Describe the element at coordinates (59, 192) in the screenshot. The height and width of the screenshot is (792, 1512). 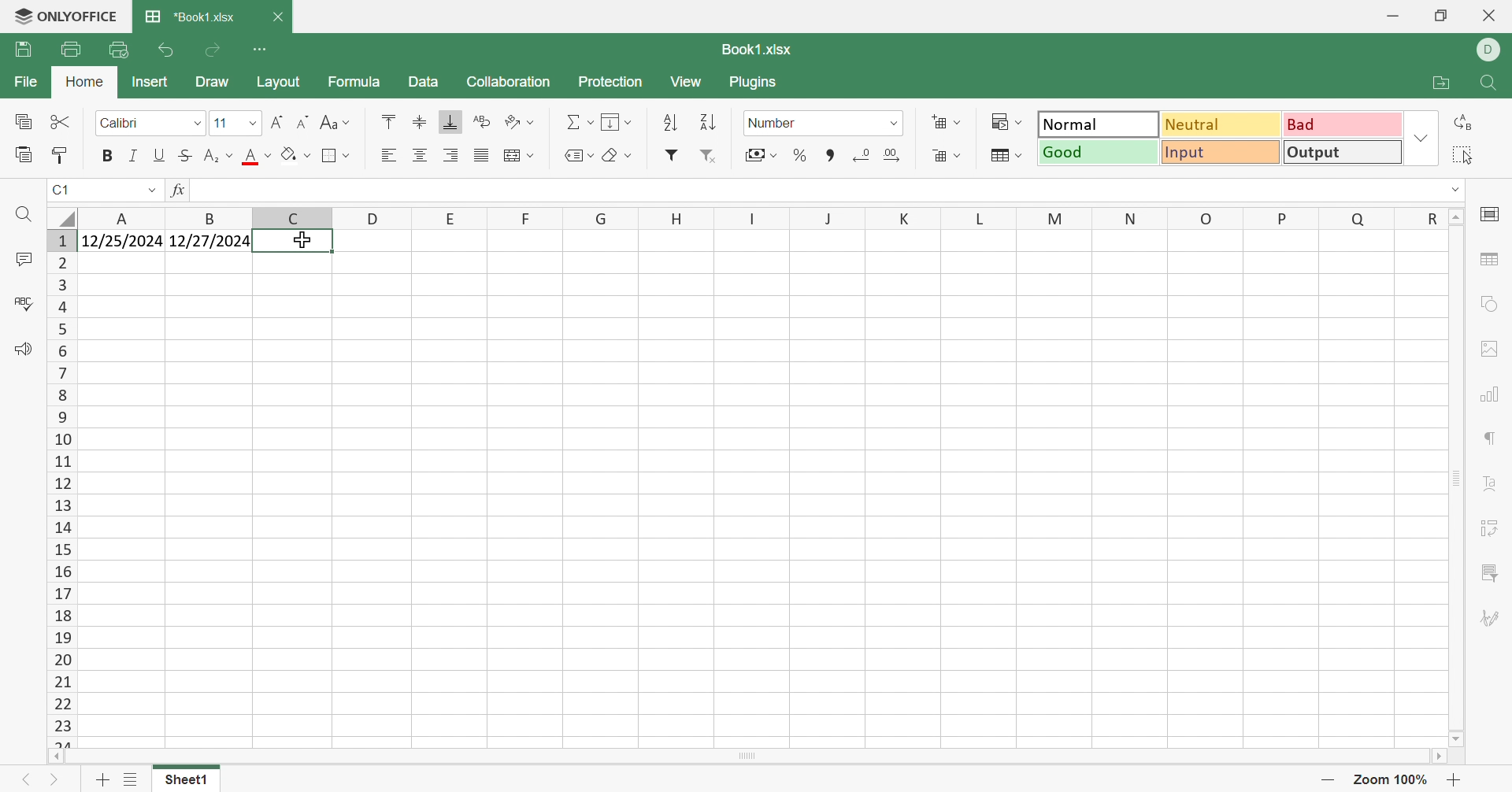
I see `C1` at that location.